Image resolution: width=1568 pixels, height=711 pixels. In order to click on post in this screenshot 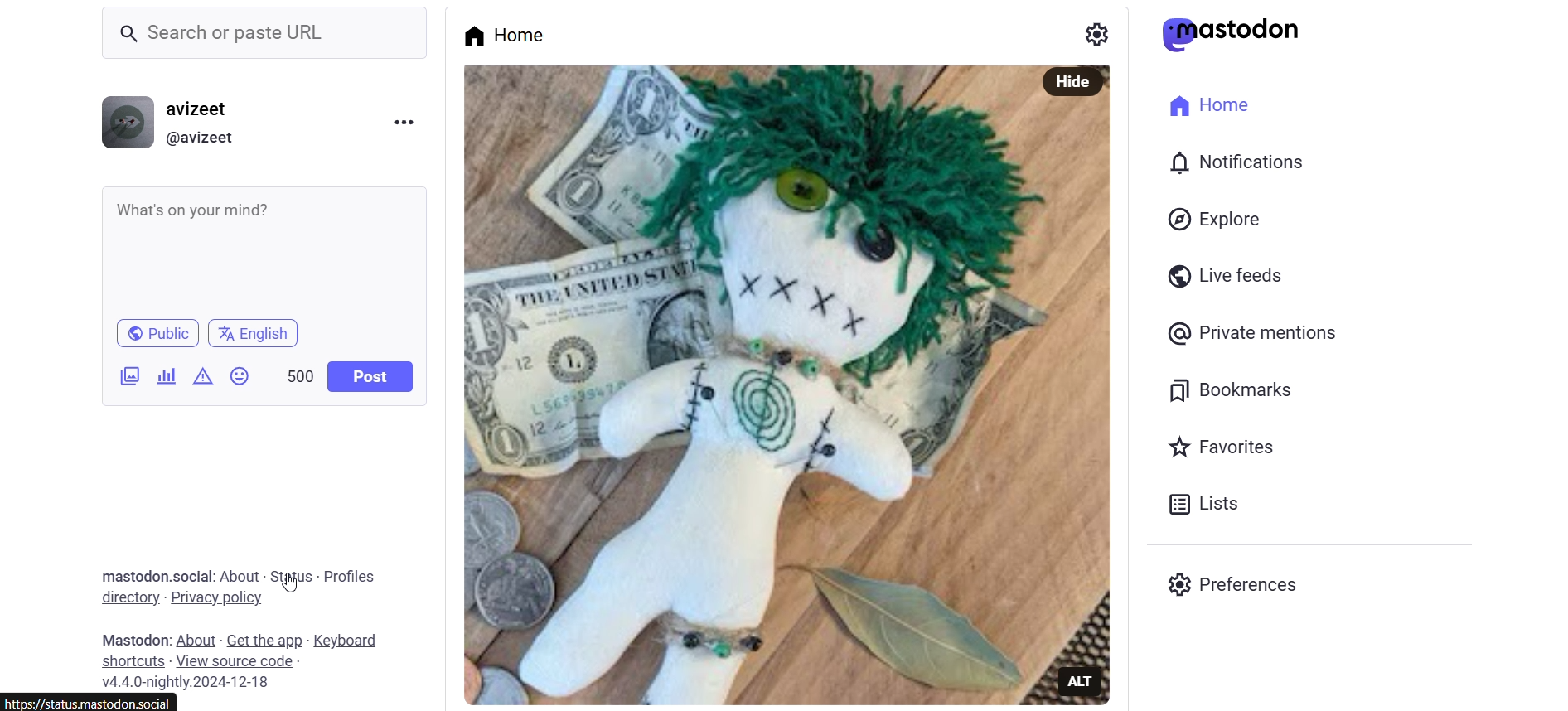, I will do `click(372, 374)`.